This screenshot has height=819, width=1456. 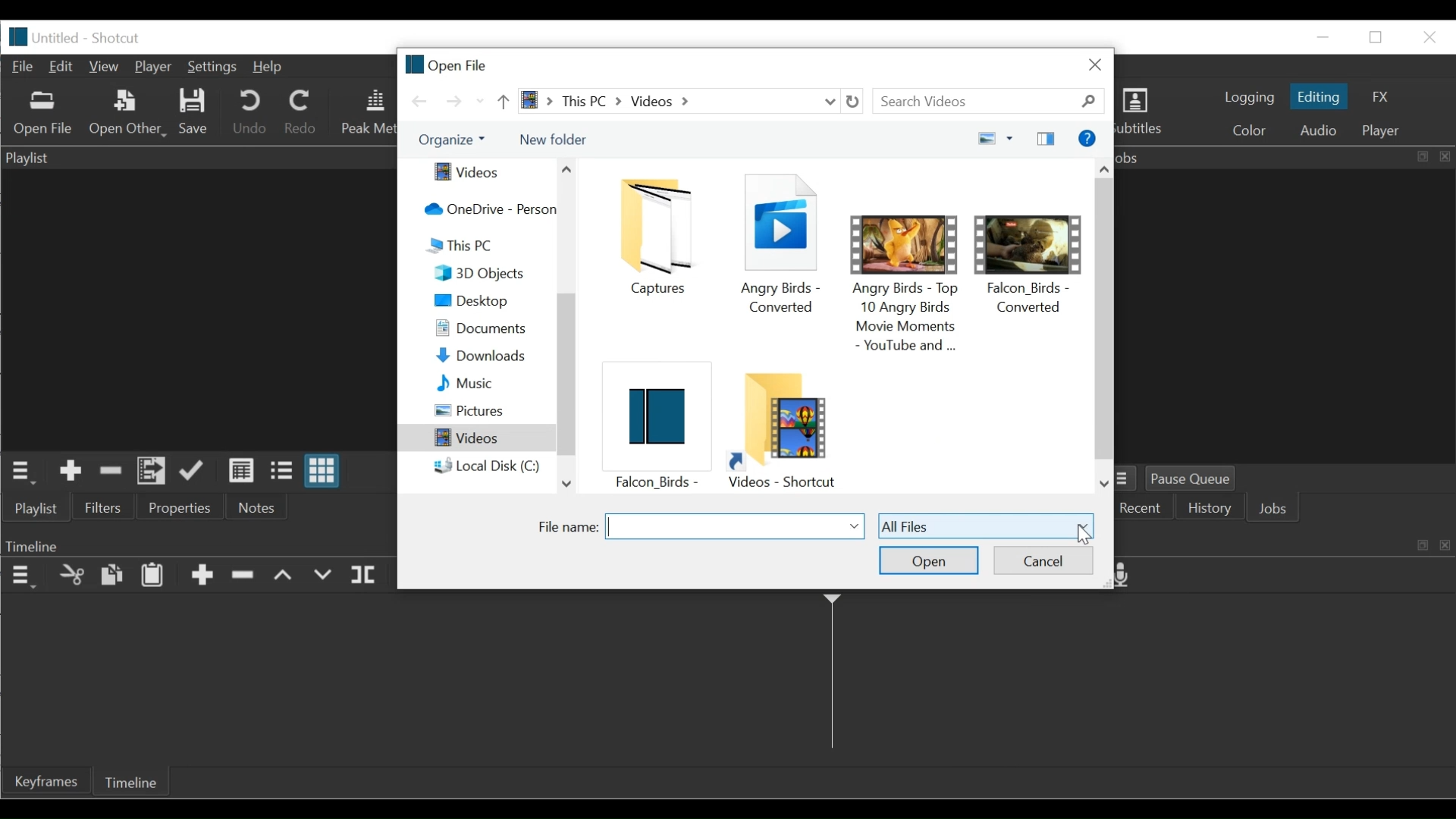 I want to click on Organize, so click(x=450, y=140).